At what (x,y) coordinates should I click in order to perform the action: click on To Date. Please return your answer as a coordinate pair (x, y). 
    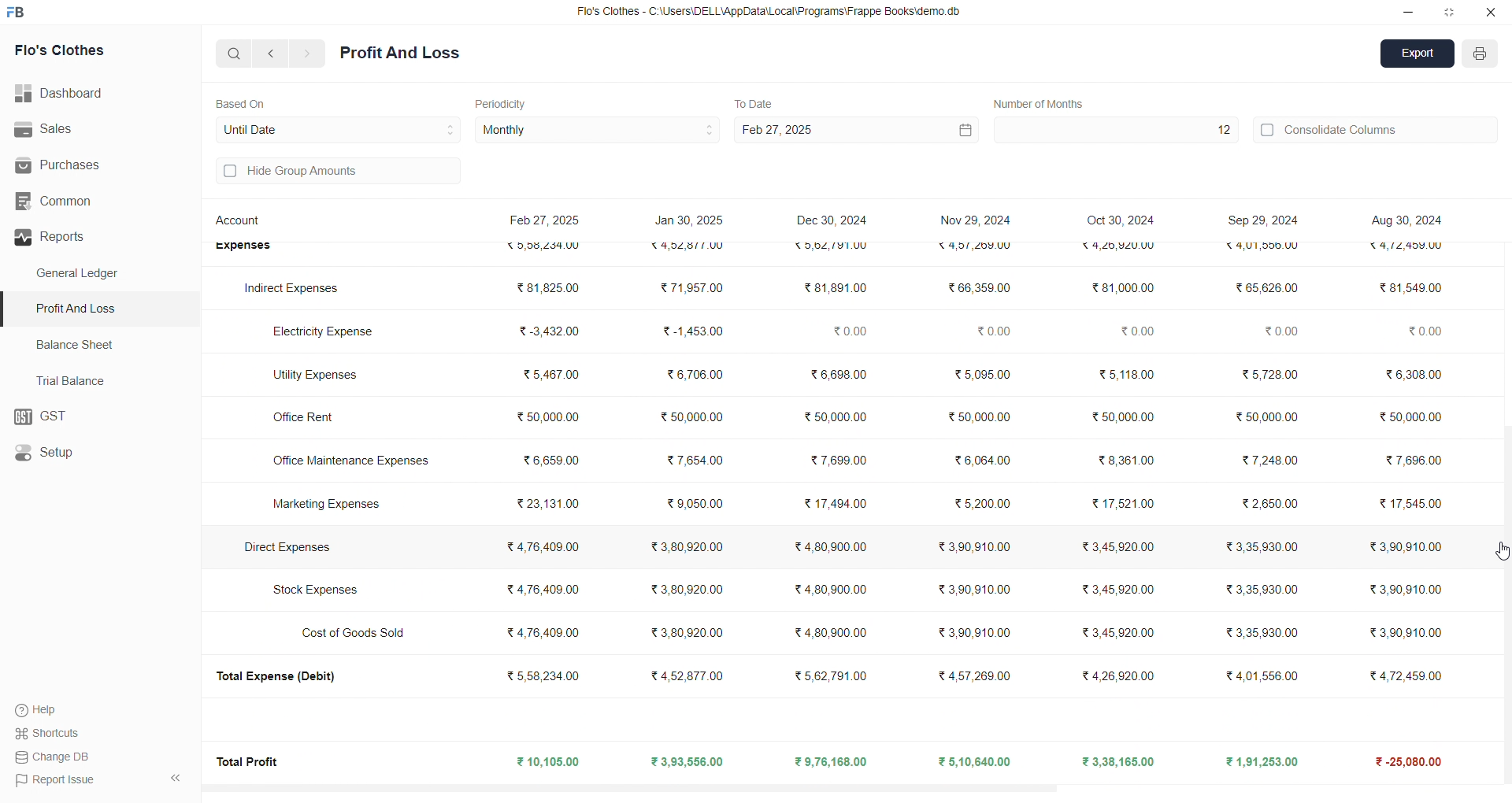
    Looking at the image, I should click on (753, 102).